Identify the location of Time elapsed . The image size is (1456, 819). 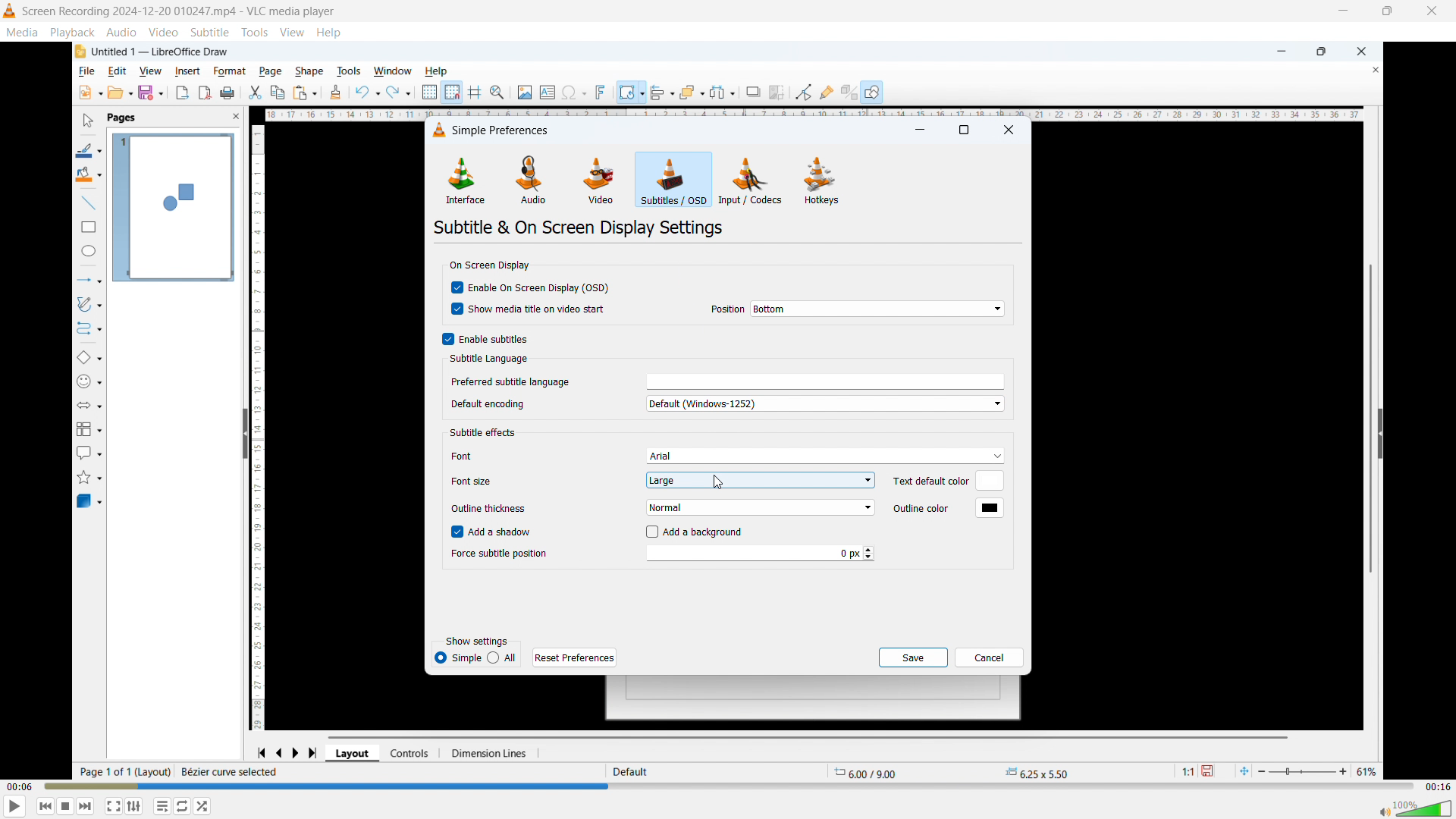
(20, 785).